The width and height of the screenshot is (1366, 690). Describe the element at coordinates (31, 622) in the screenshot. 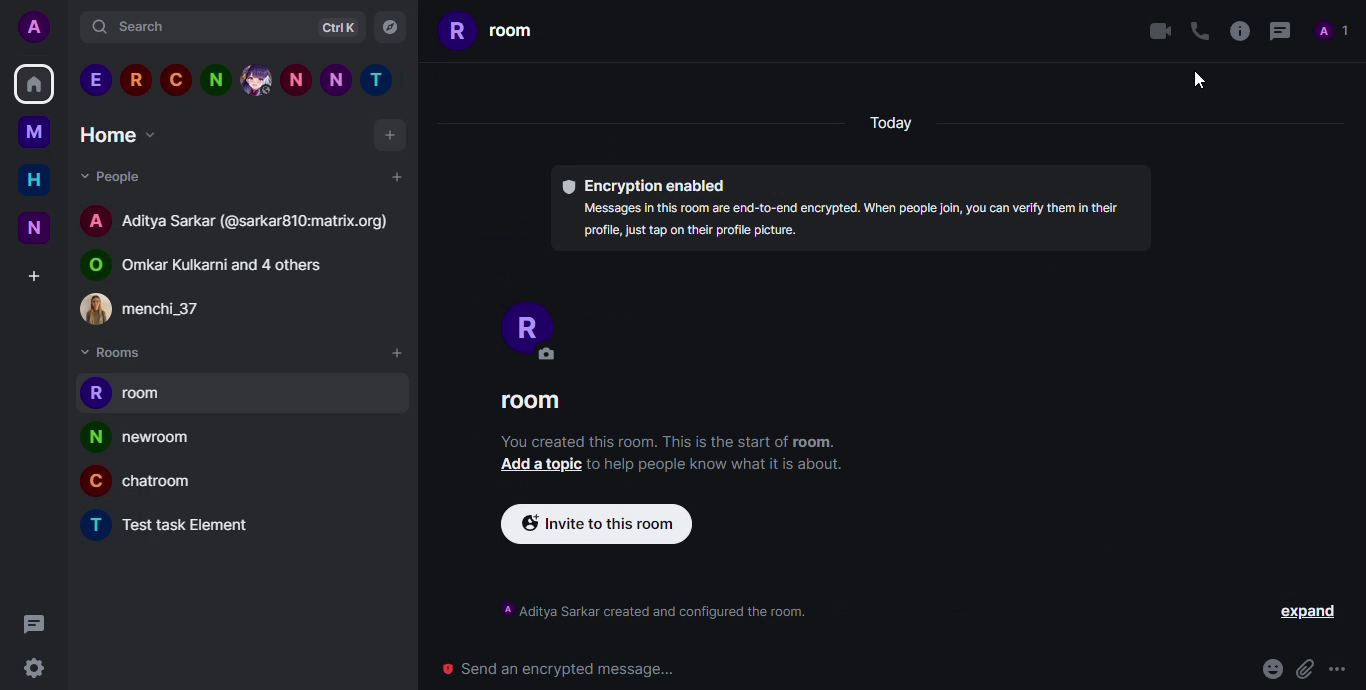

I see `threads` at that location.